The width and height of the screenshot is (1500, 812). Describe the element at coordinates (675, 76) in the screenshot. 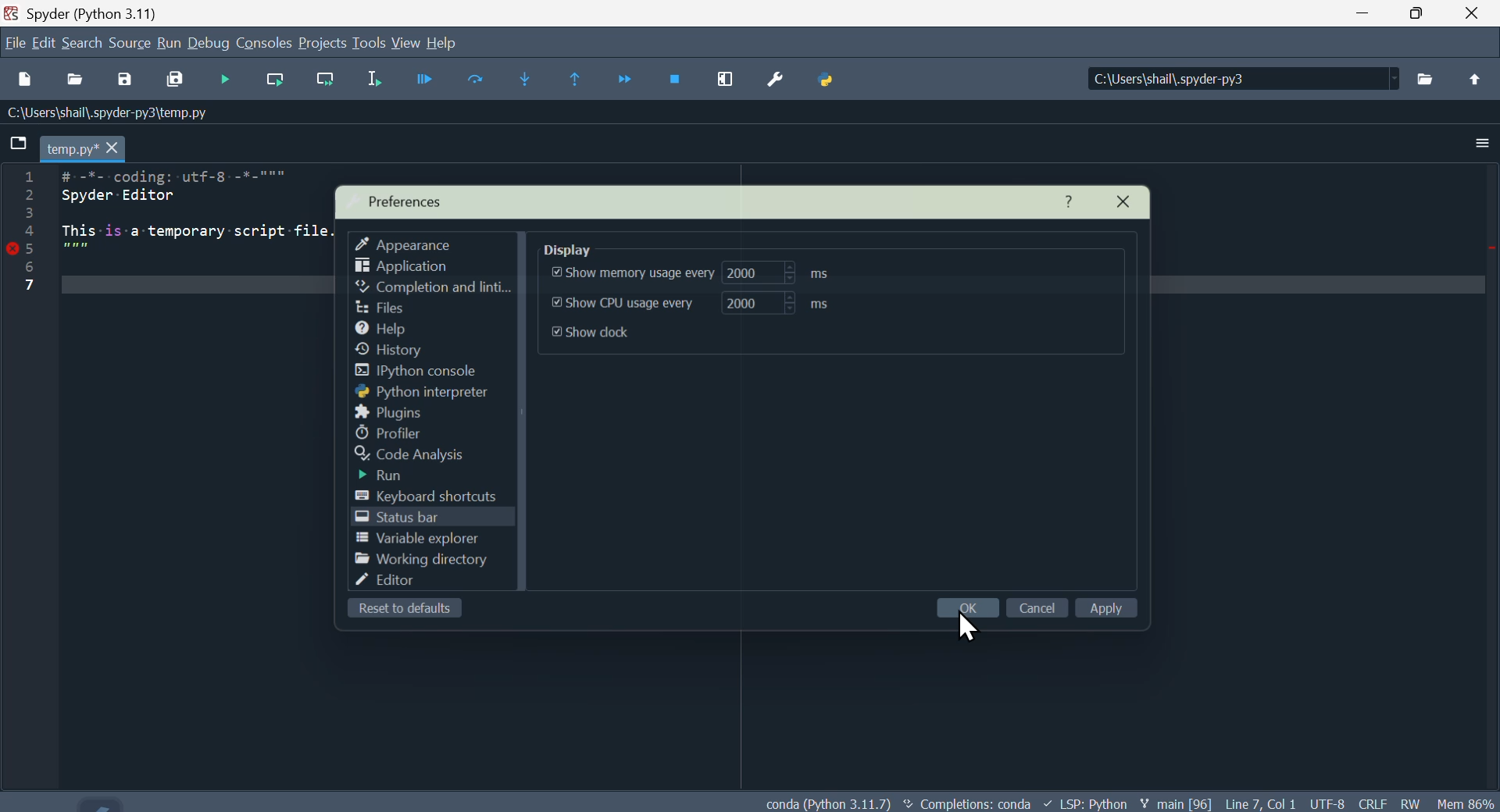

I see `Stop debugging` at that location.